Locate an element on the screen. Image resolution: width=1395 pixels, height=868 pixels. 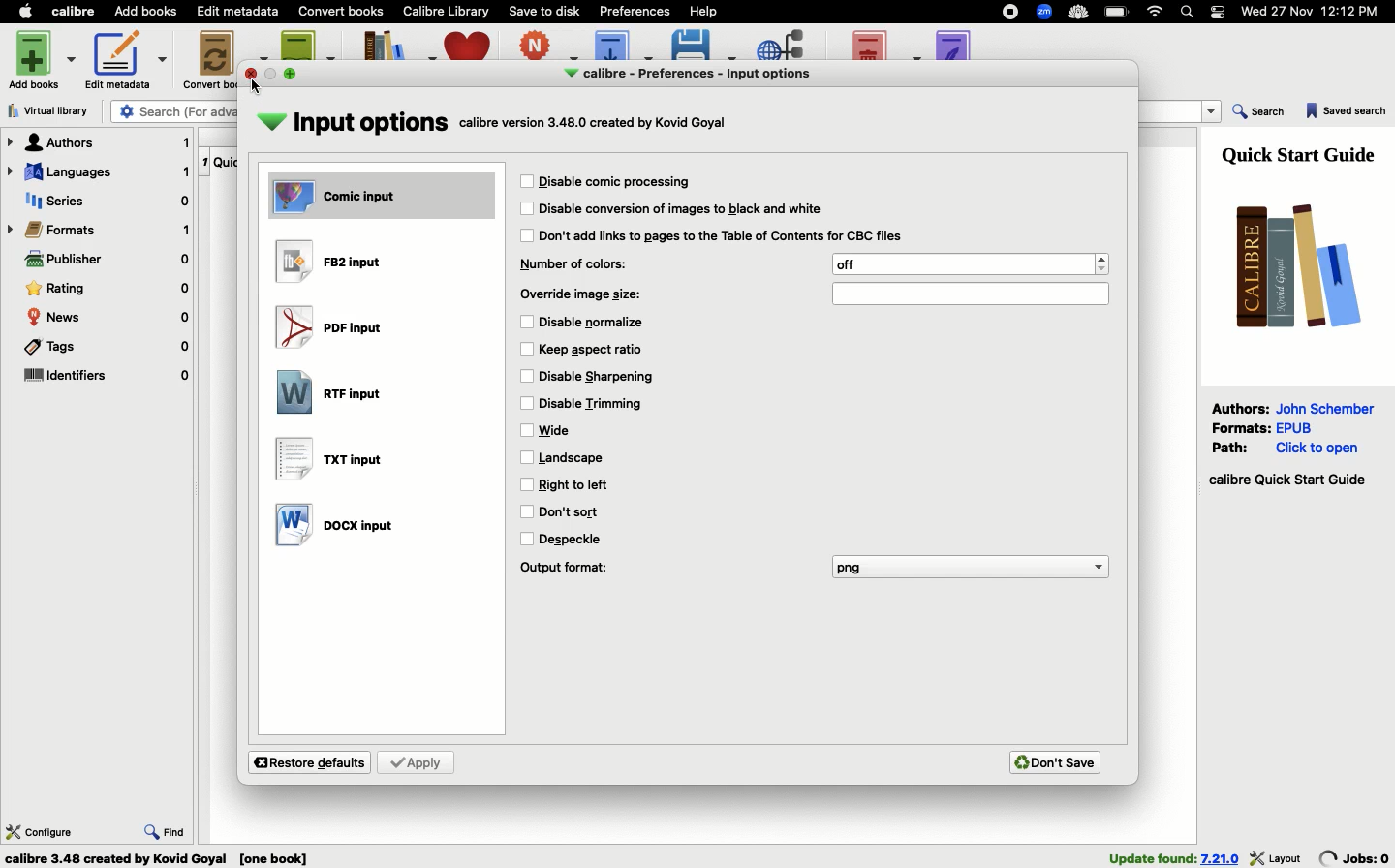
click to open is located at coordinates (1317, 449).